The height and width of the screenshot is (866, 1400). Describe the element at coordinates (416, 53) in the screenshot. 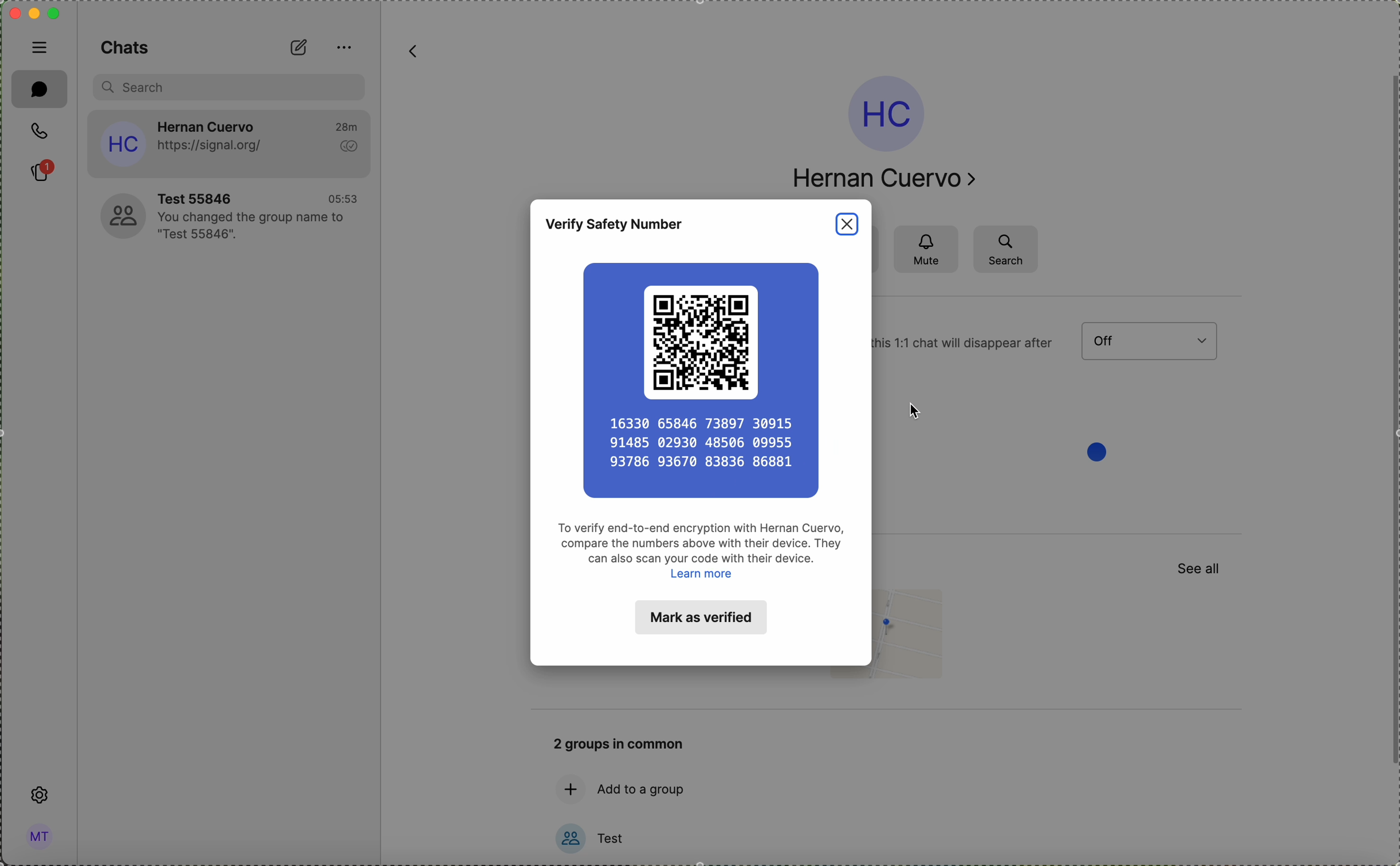

I see `back` at that location.